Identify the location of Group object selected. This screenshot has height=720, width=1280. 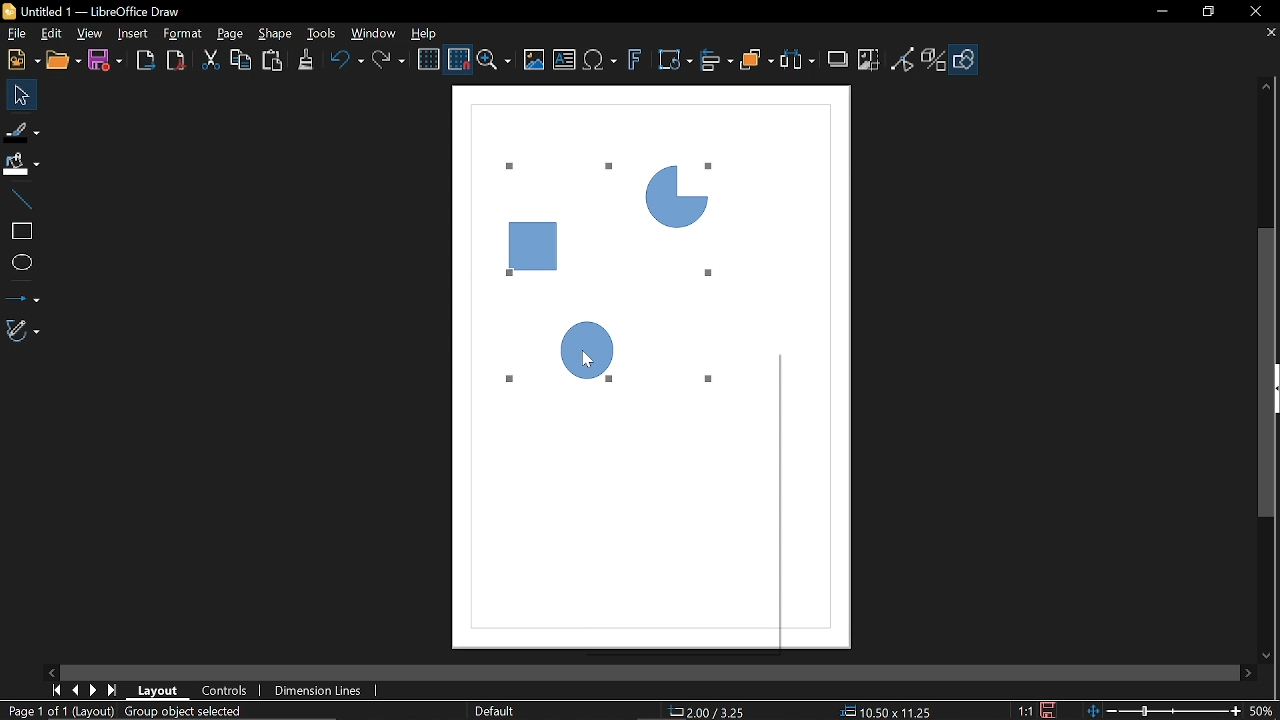
(193, 711).